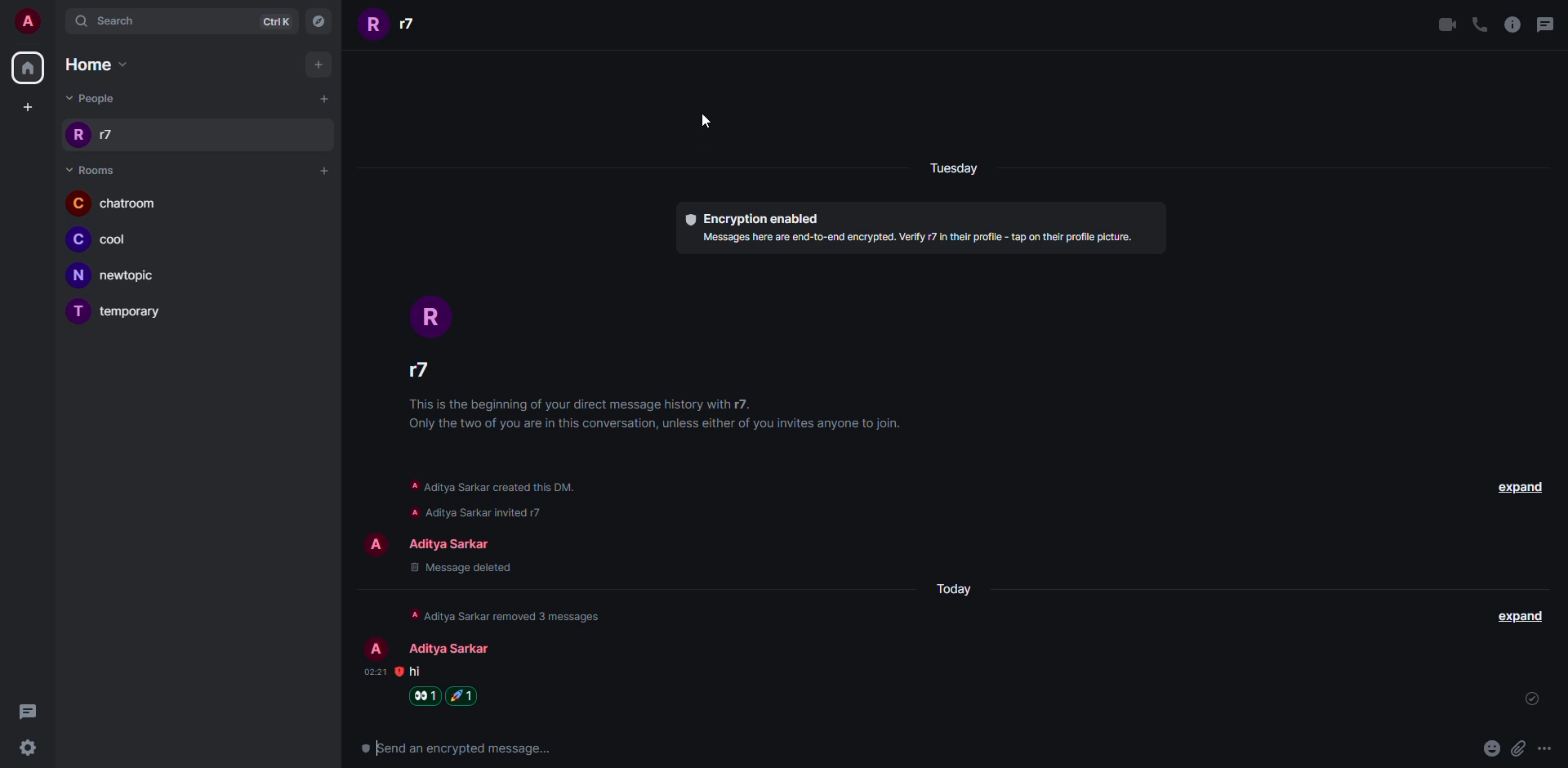  Describe the element at coordinates (322, 169) in the screenshot. I see `add` at that location.